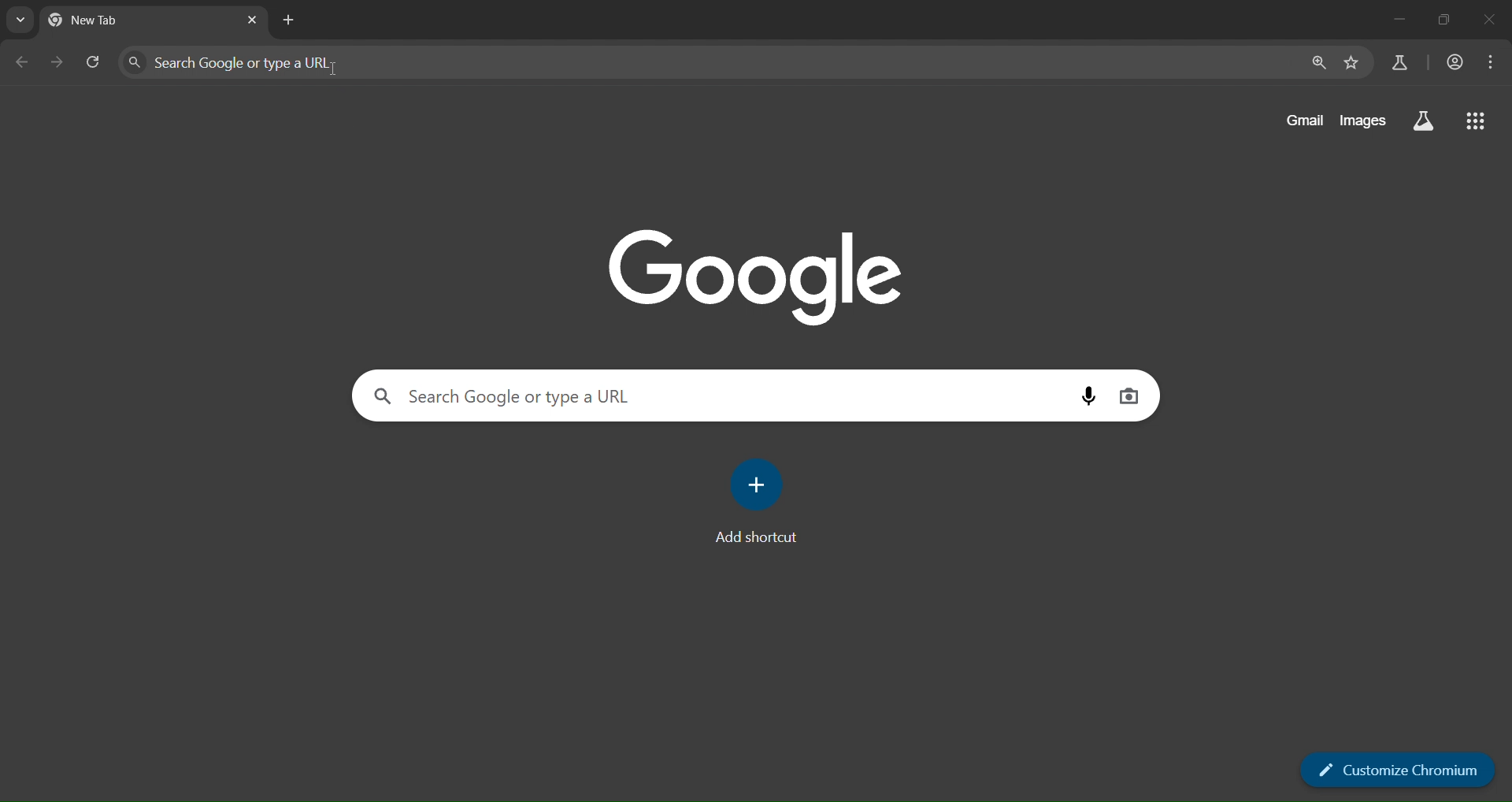 Image resolution: width=1512 pixels, height=802 pixels. I want to click on go forward one page, so click(60, 65).